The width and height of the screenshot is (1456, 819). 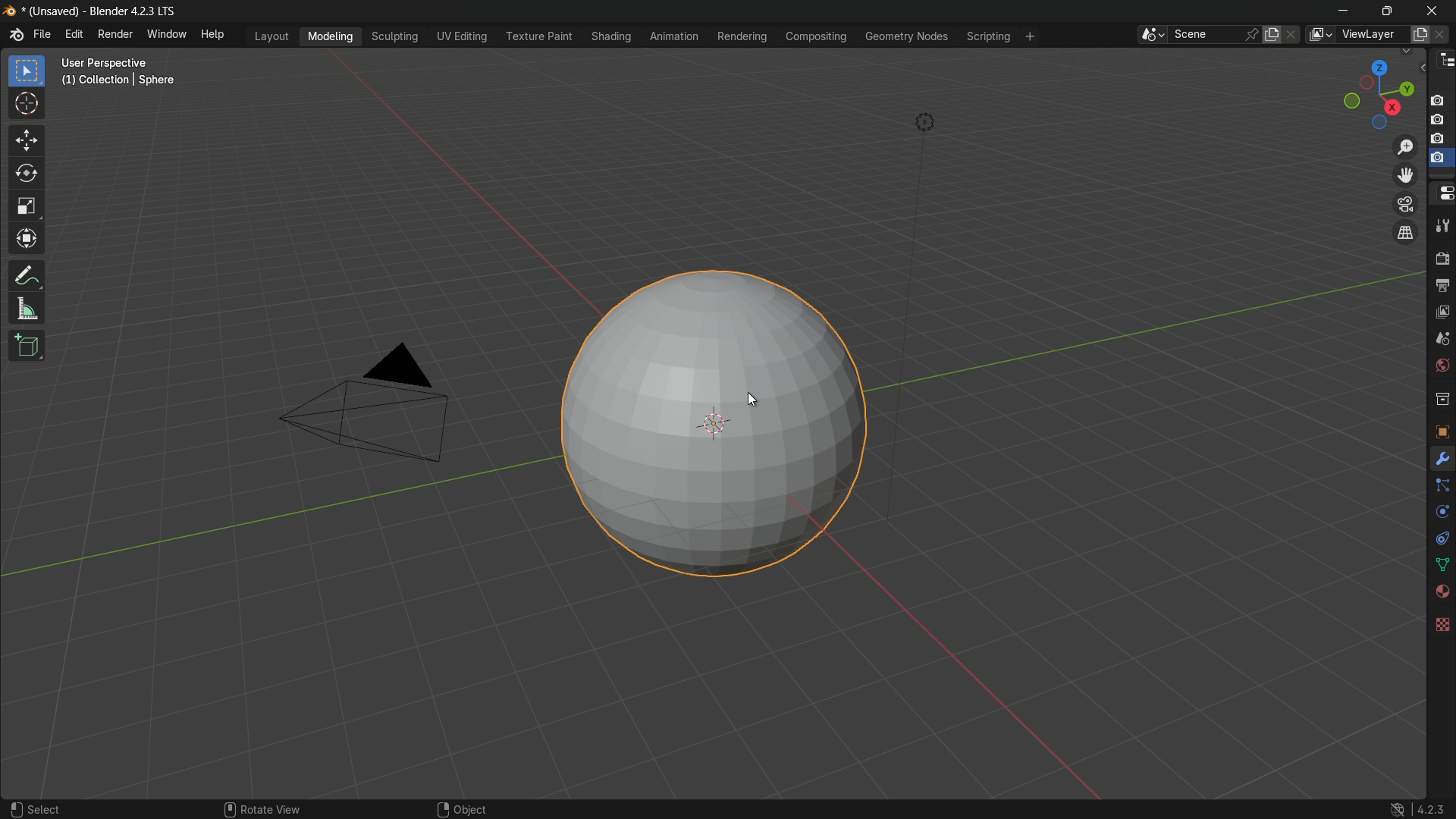 What do you see at coordinates (1442, 286) in the screenshot?
I see `output` at bounding box center [1442, 286].